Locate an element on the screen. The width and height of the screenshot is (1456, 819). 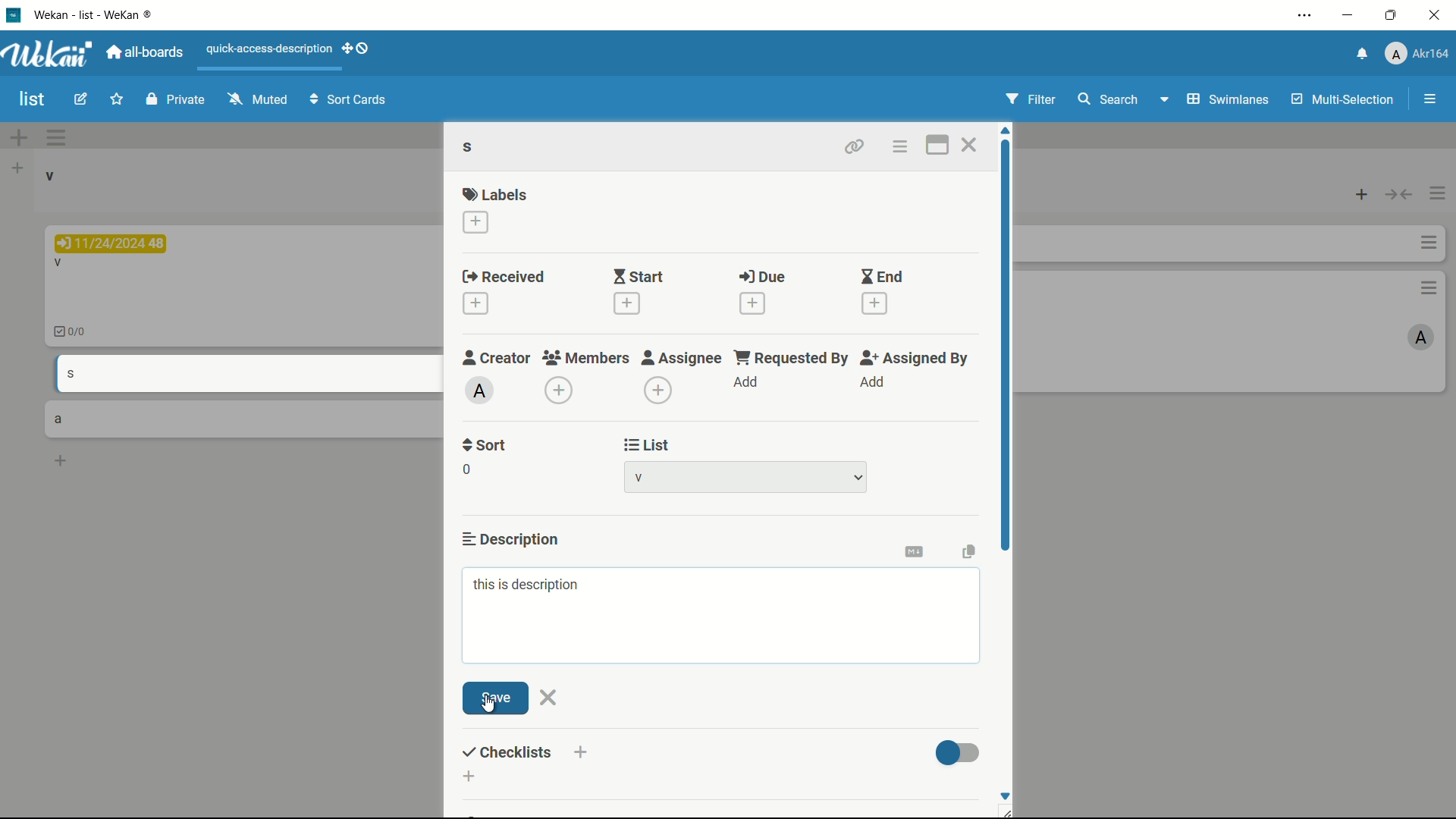
copy card link to clipboard is located at coordinates (854, 145).